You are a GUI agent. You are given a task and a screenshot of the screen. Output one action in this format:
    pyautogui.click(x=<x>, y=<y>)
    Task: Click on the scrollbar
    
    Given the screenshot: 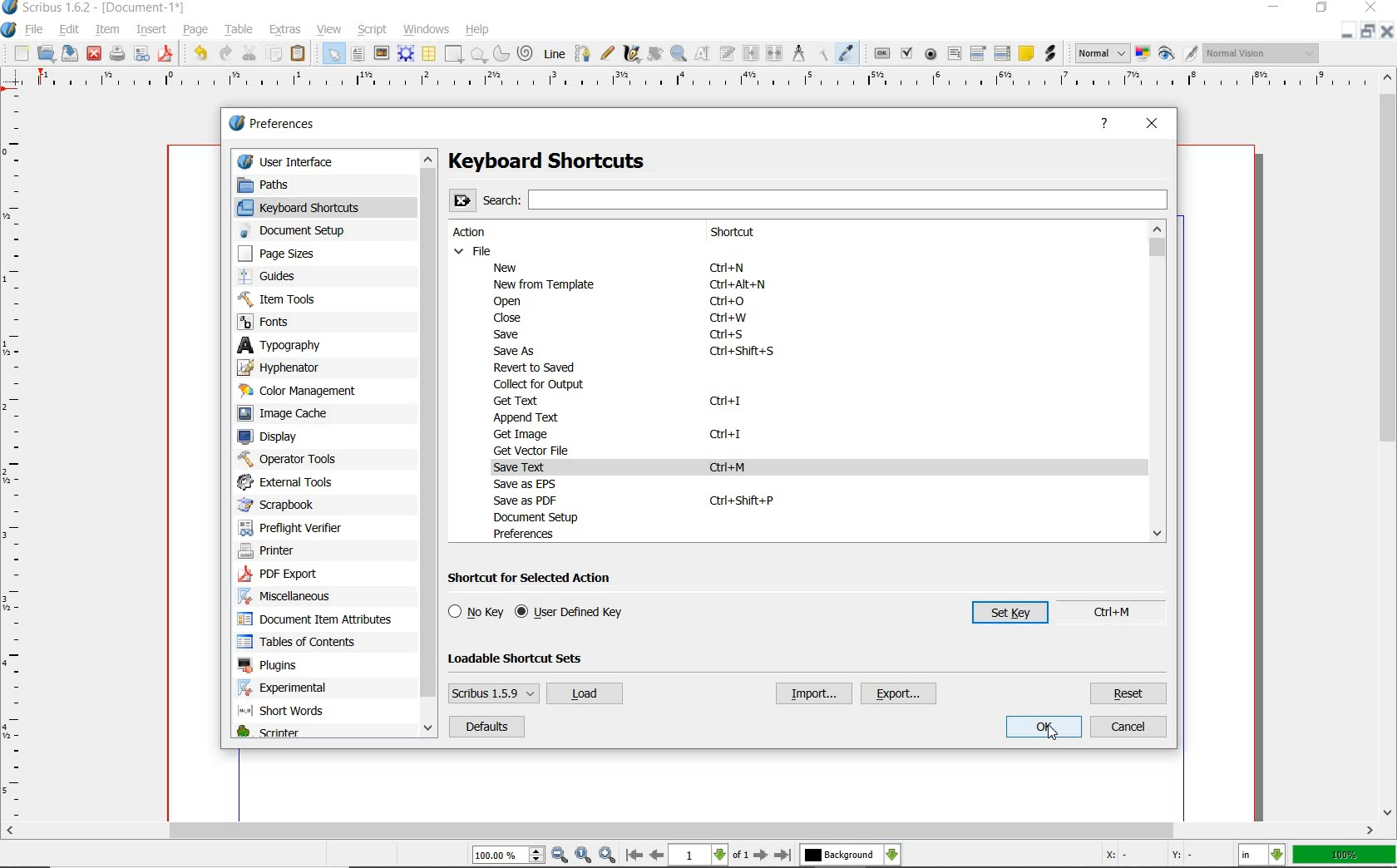 What is the action you would take?
    pyautogui.click(x=1389, y=445)
    